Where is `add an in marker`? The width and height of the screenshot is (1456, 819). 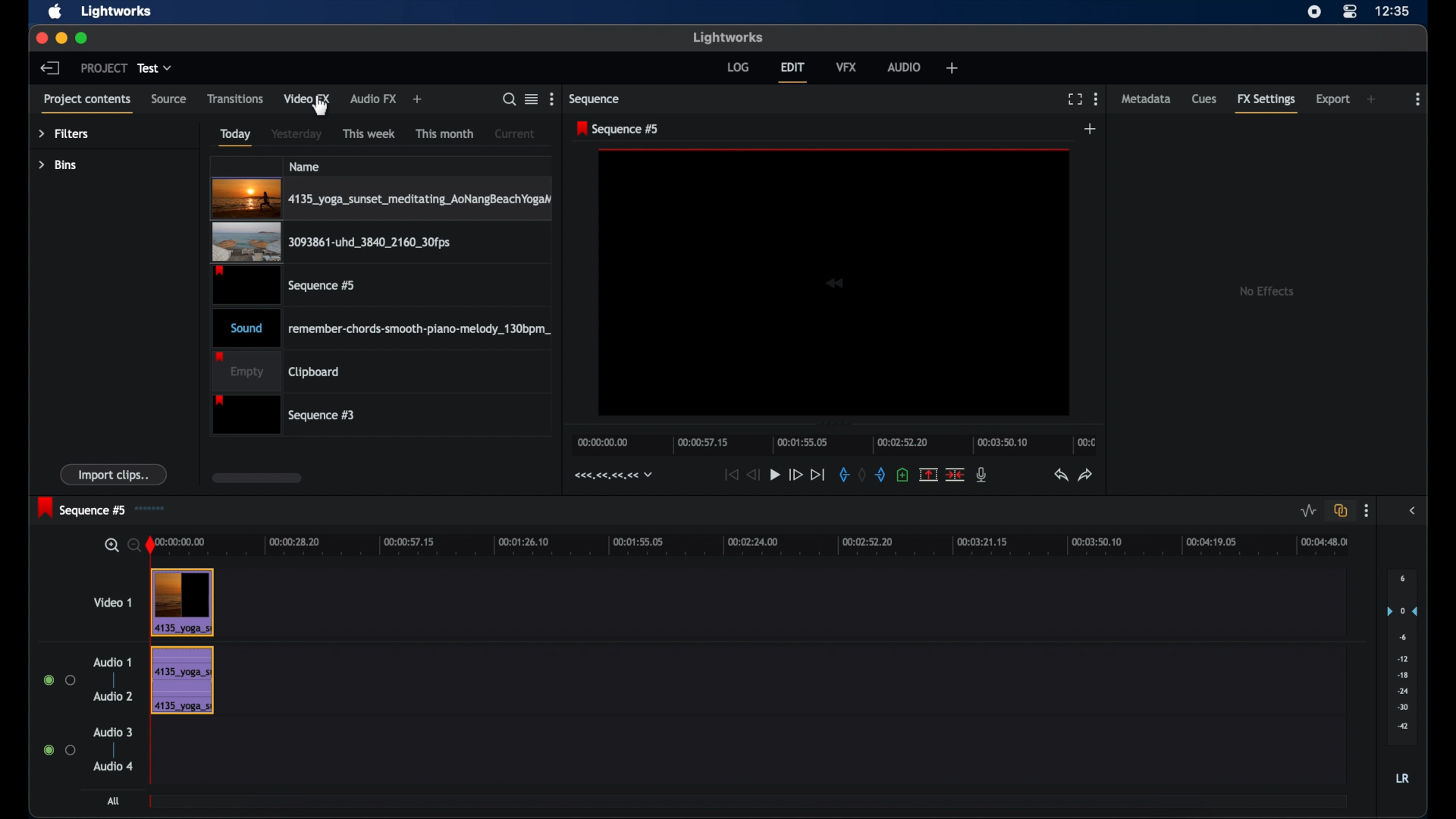
add an in marker is located at coordinates (843, 475).